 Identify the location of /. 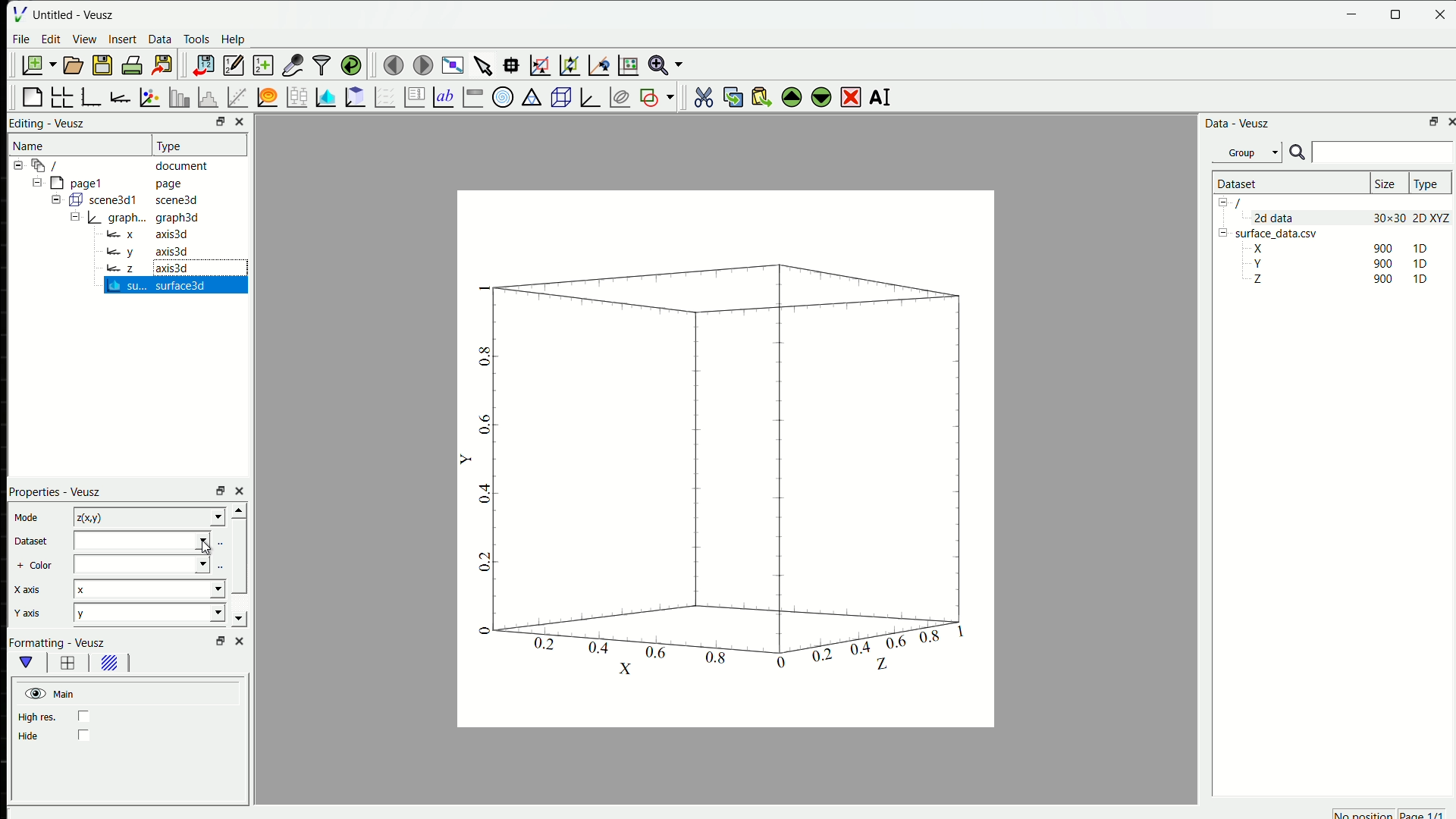
(49, 165).